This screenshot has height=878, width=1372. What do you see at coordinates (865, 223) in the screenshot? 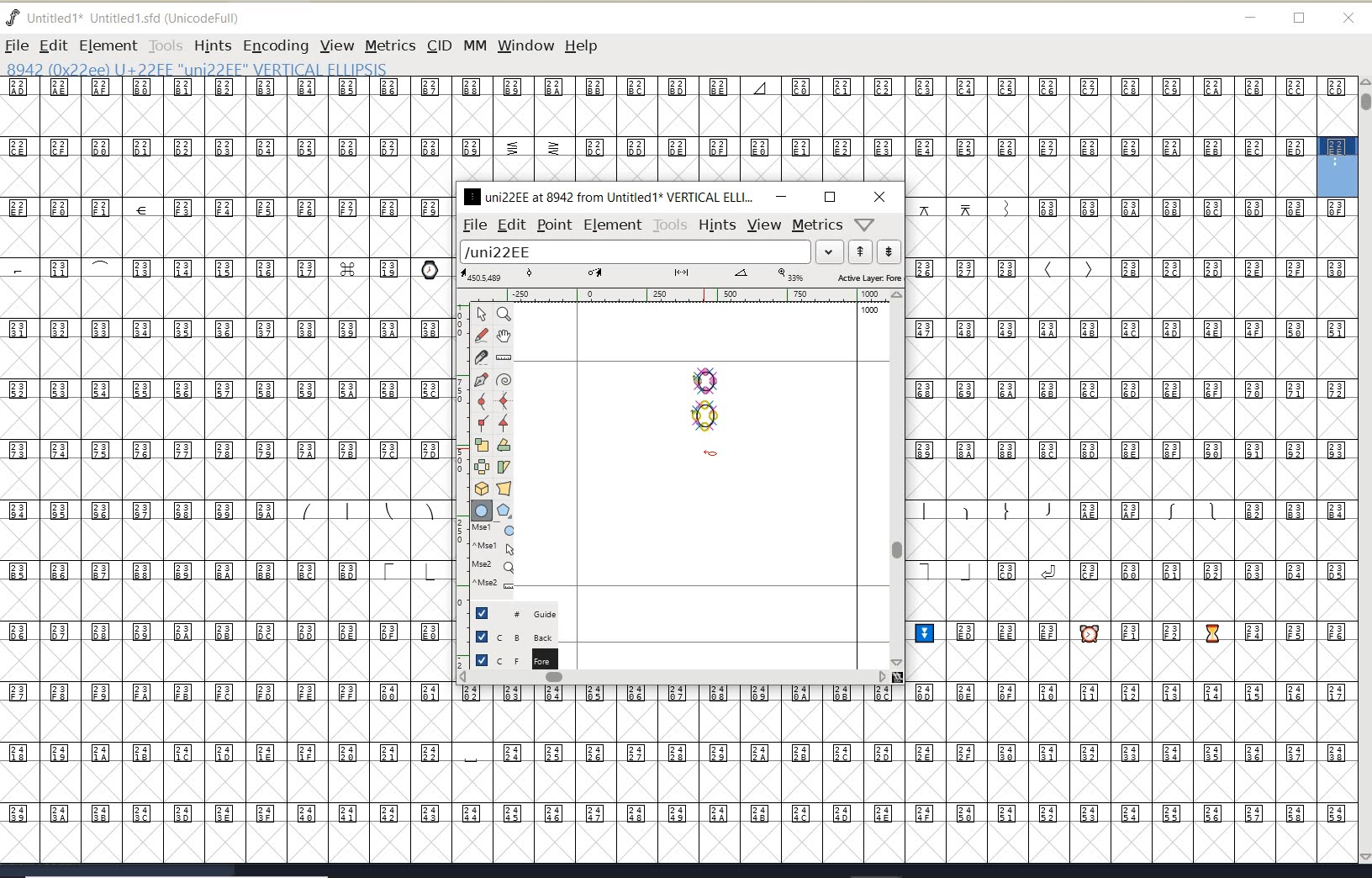
I see `help/window` at bounding box center [865, 223].